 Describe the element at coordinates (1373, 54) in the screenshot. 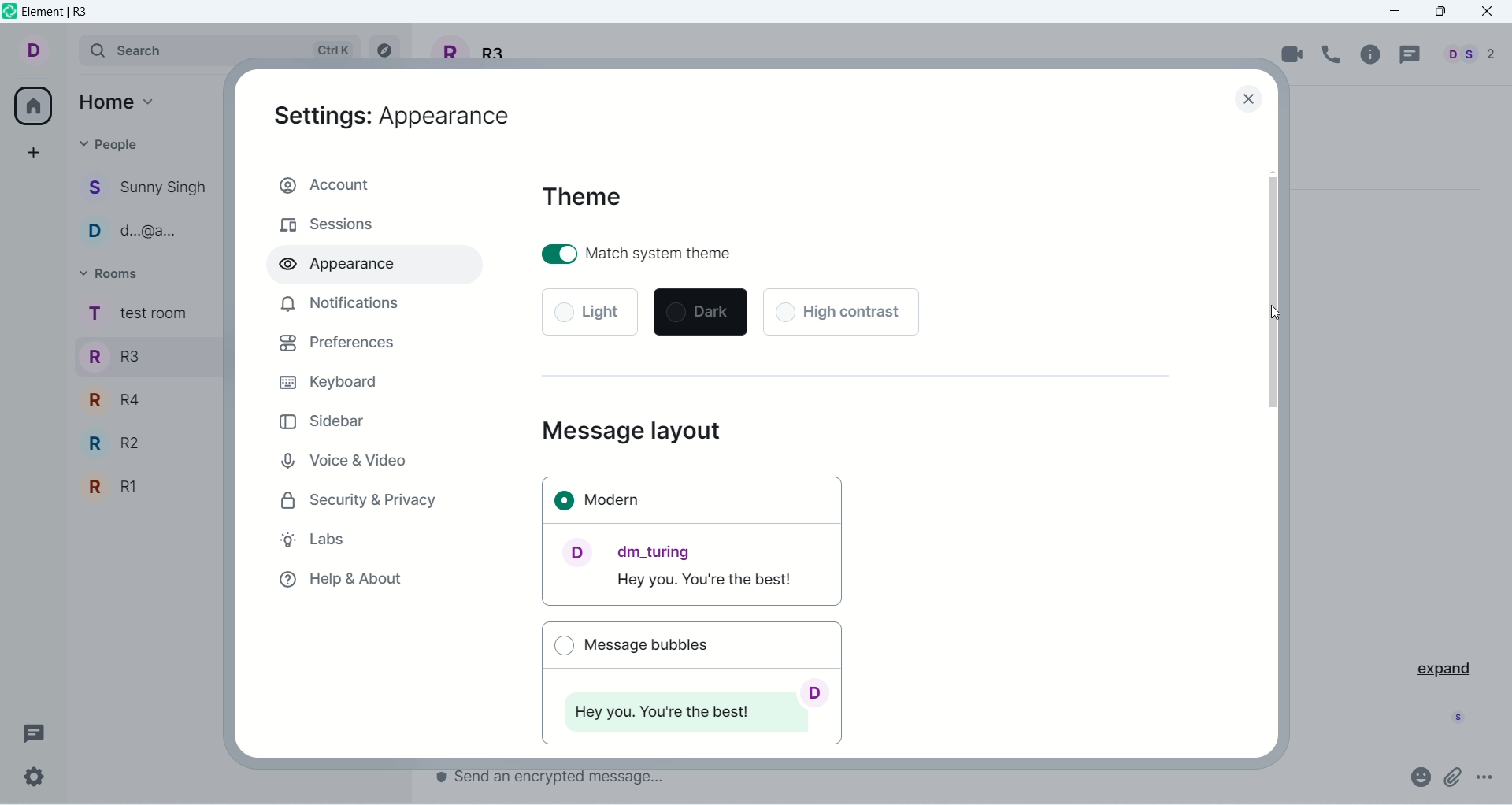

I see `room info` at that location.